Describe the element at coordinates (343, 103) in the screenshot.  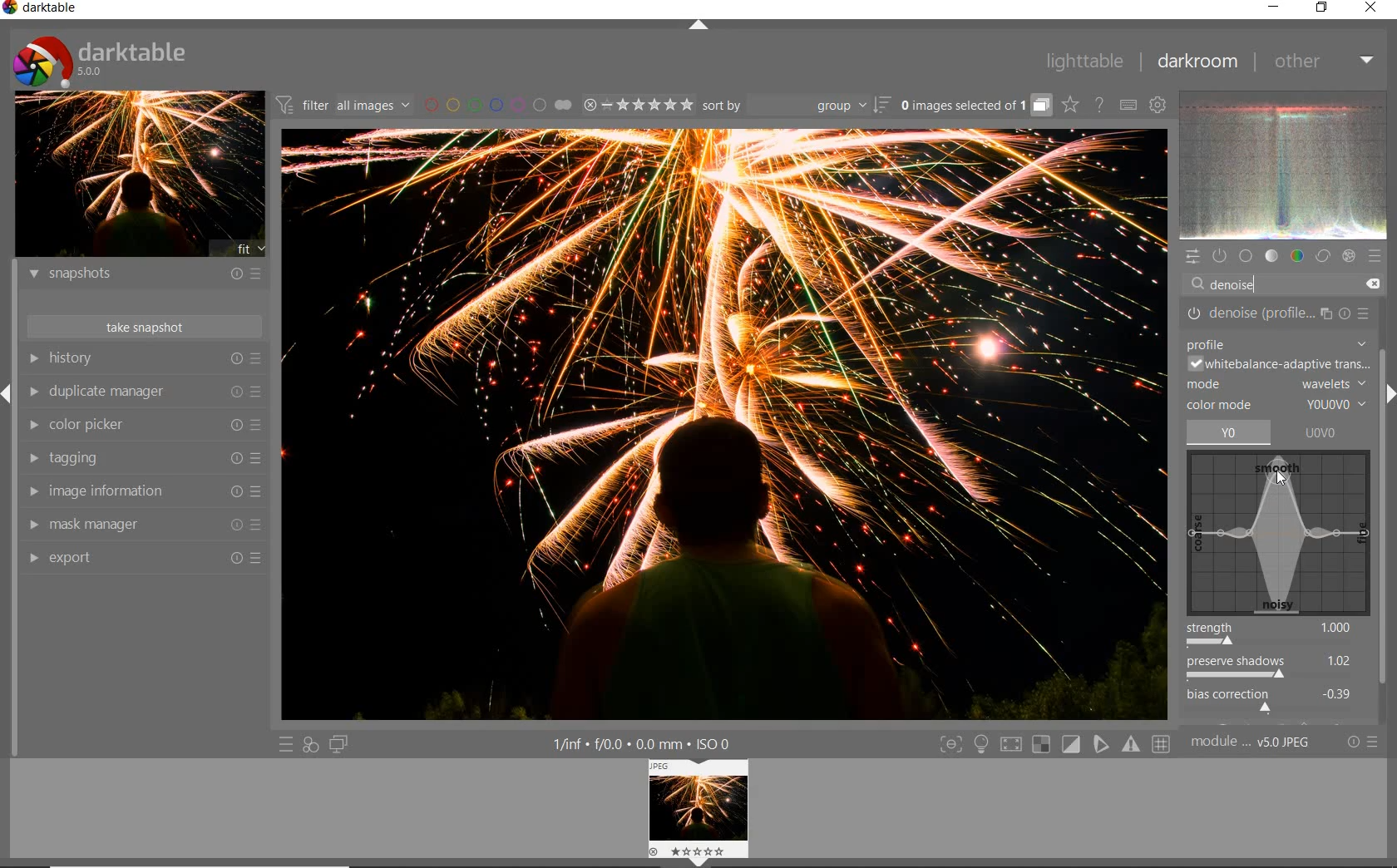
I see `filter all images by module order` at that location.